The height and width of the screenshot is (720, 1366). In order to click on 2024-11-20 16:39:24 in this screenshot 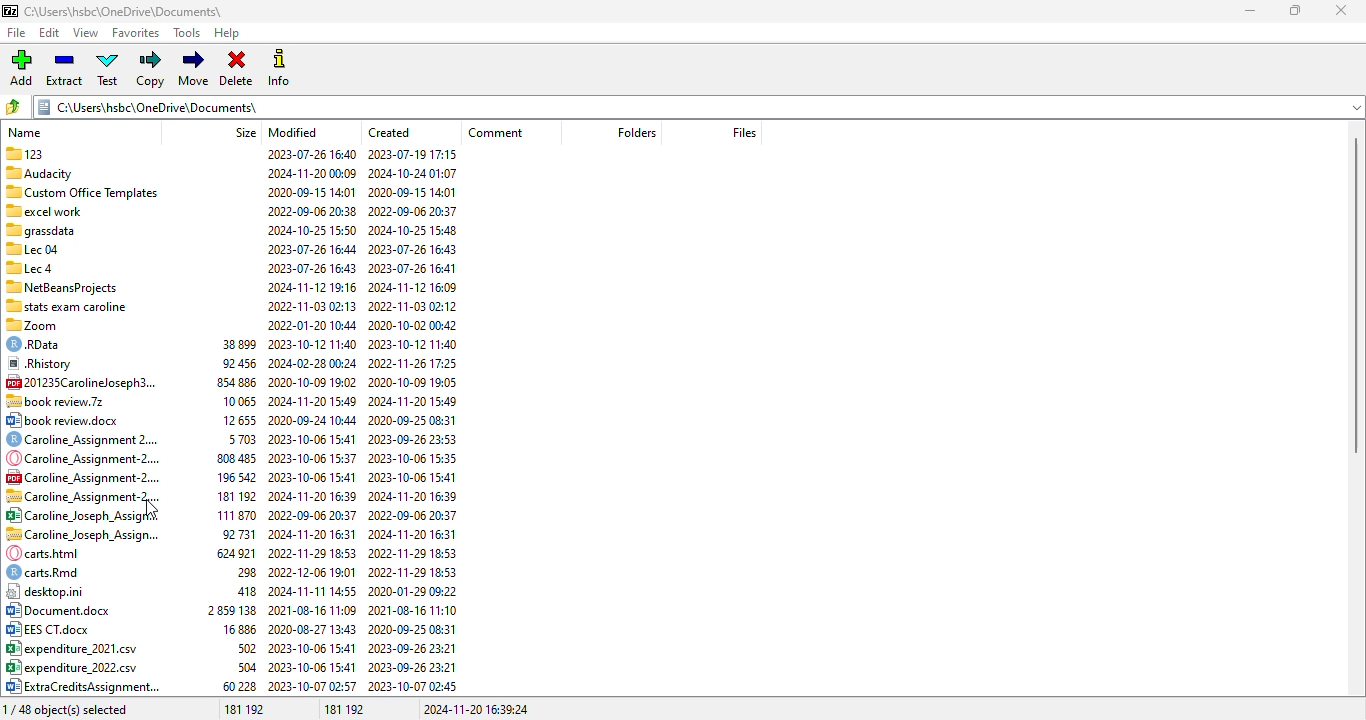, I will do `click(476, 709)`.